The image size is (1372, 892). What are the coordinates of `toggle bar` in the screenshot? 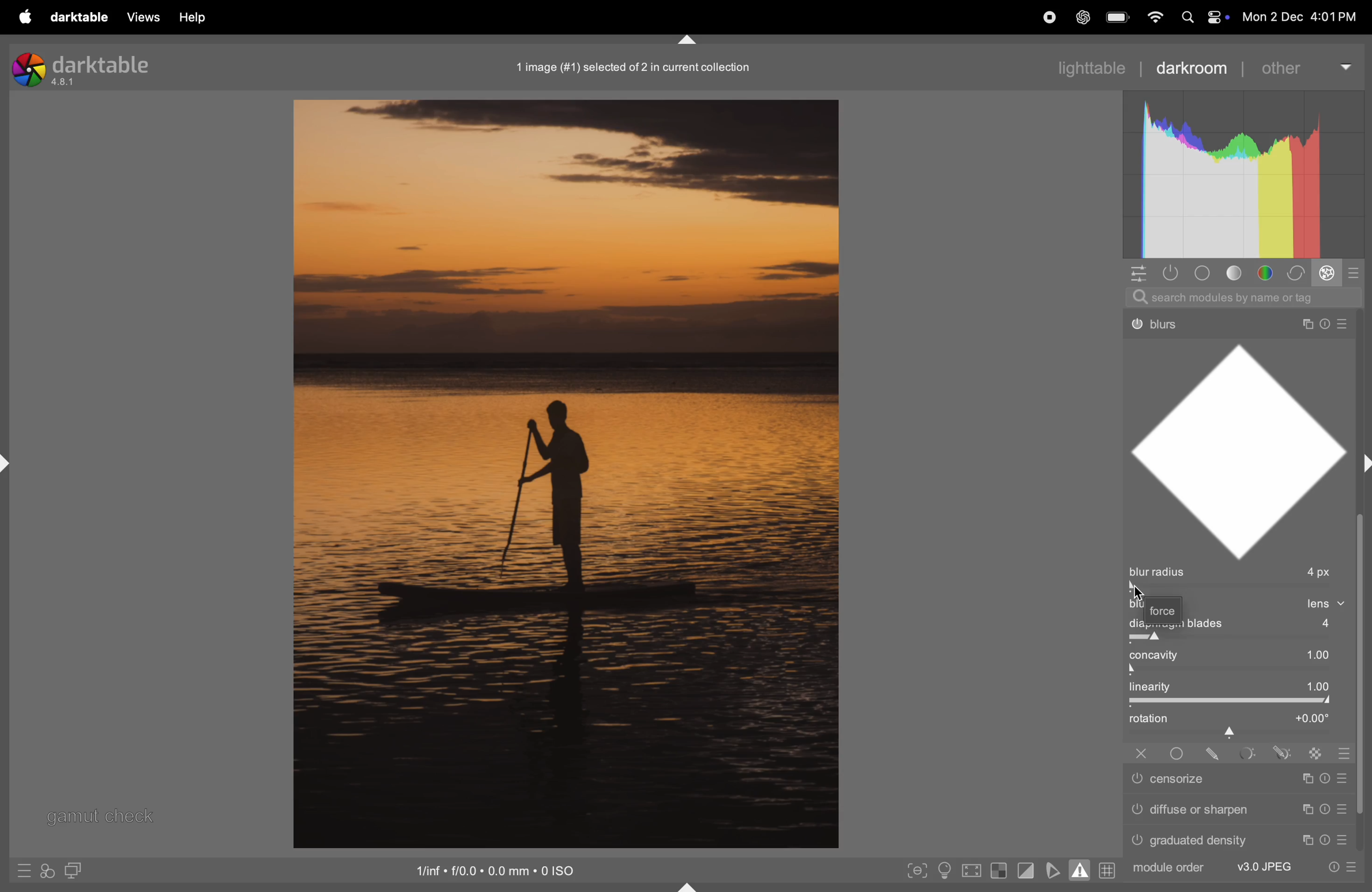 It's located at (1239, 588).